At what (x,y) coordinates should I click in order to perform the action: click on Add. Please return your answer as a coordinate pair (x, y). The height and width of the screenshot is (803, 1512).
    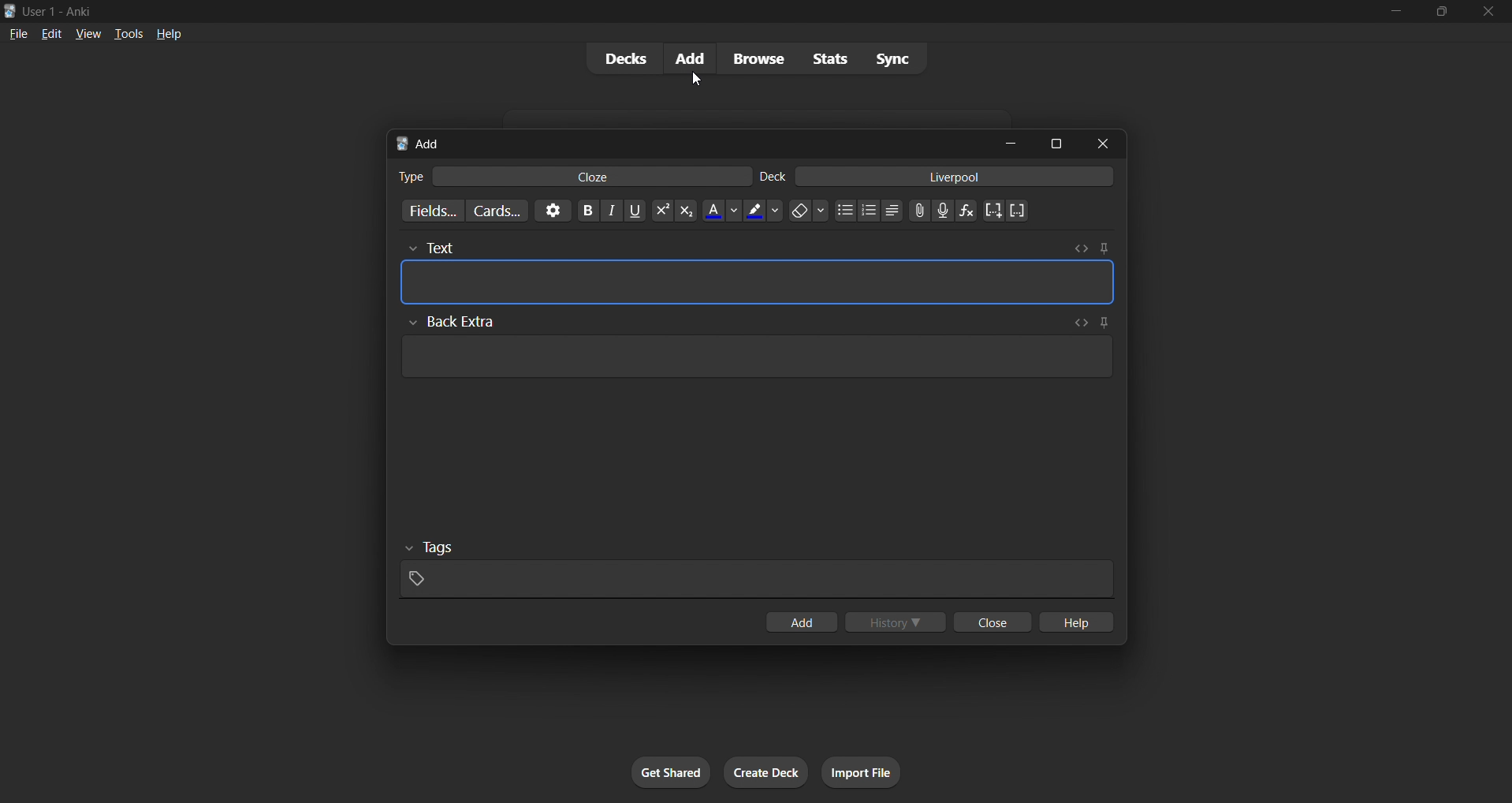
    Looking at the image, I should click on (426, 143).